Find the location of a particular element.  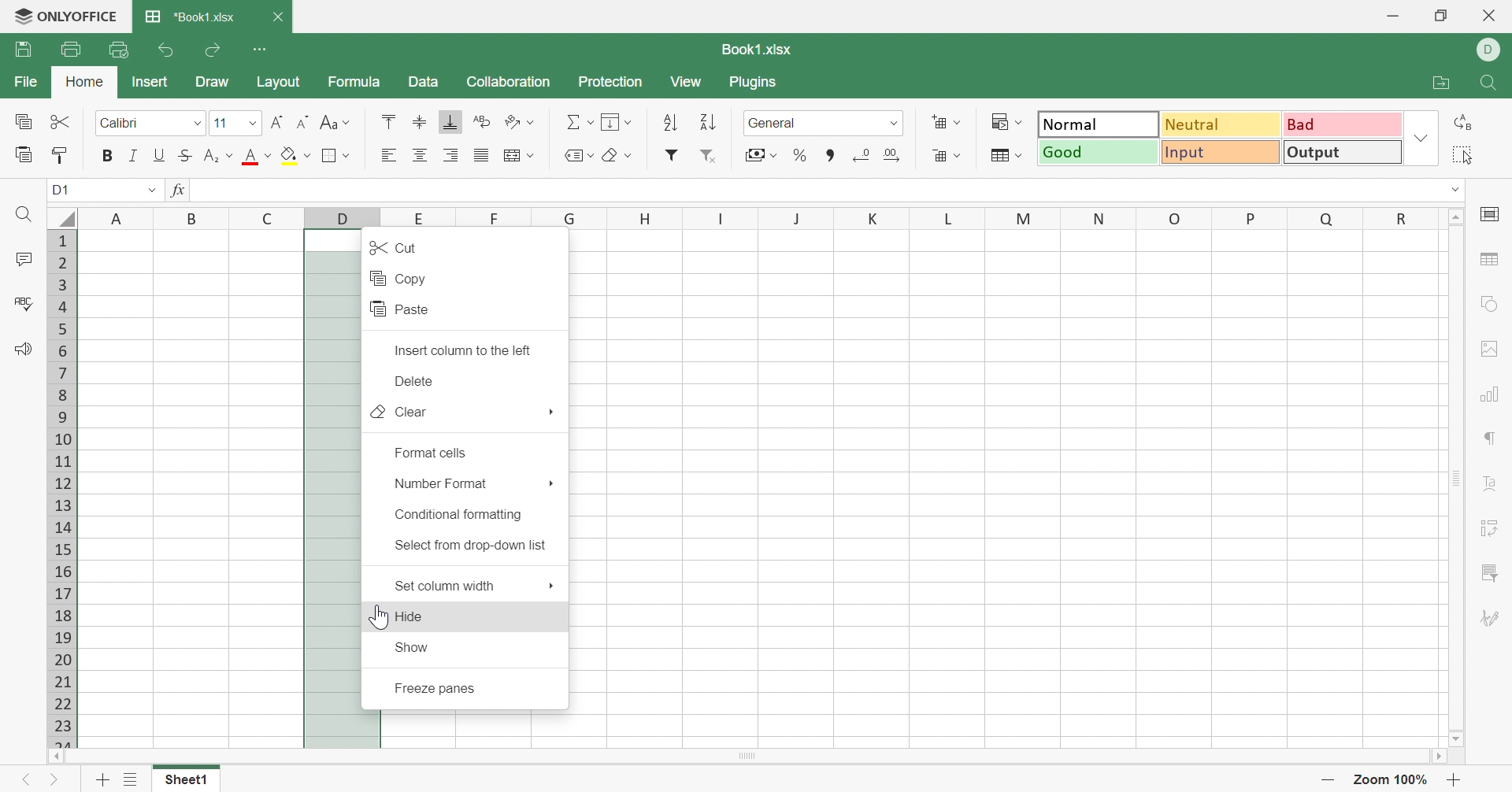

Calibri is located at coordinates (126, 121).